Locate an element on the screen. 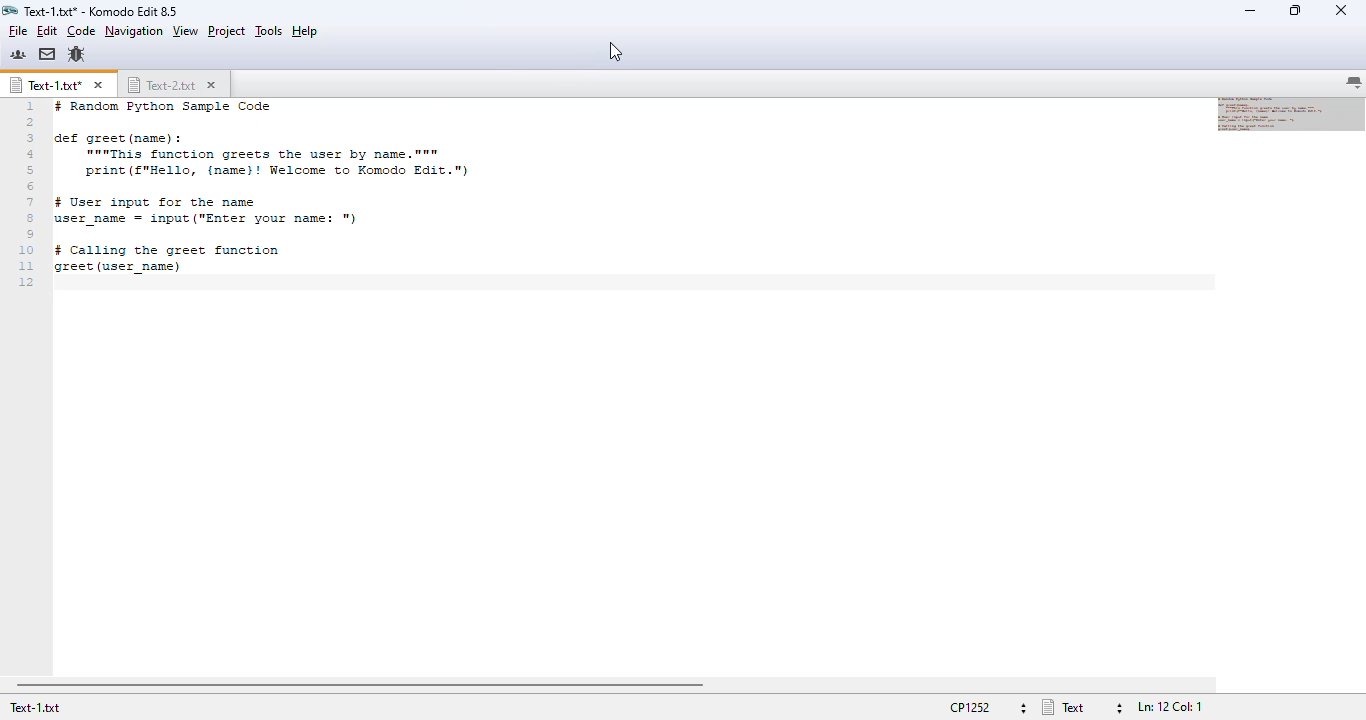  text-1 is located at coordinates (35, 708).